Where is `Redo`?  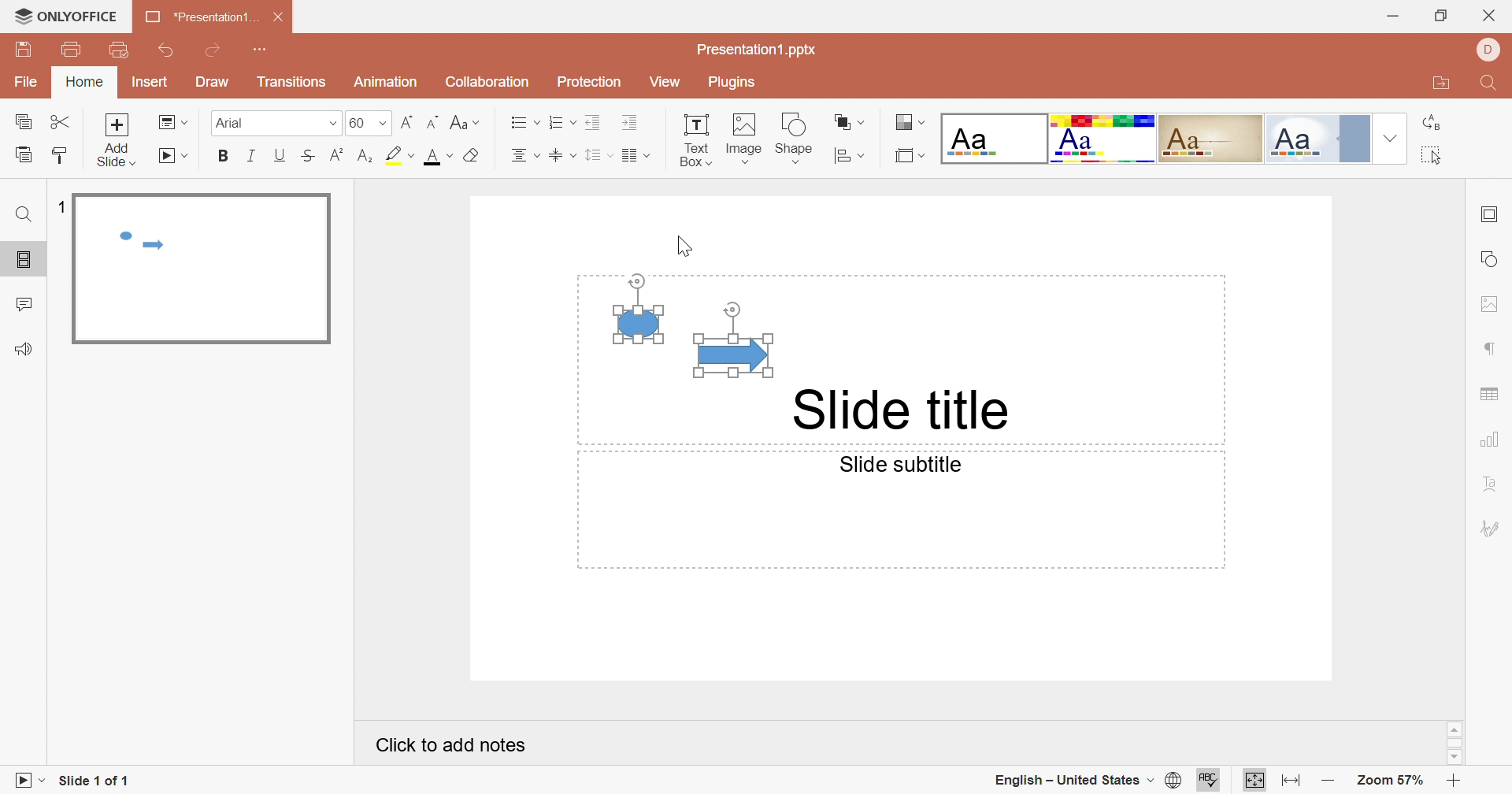
Redo is located at coordinates (215, 54).